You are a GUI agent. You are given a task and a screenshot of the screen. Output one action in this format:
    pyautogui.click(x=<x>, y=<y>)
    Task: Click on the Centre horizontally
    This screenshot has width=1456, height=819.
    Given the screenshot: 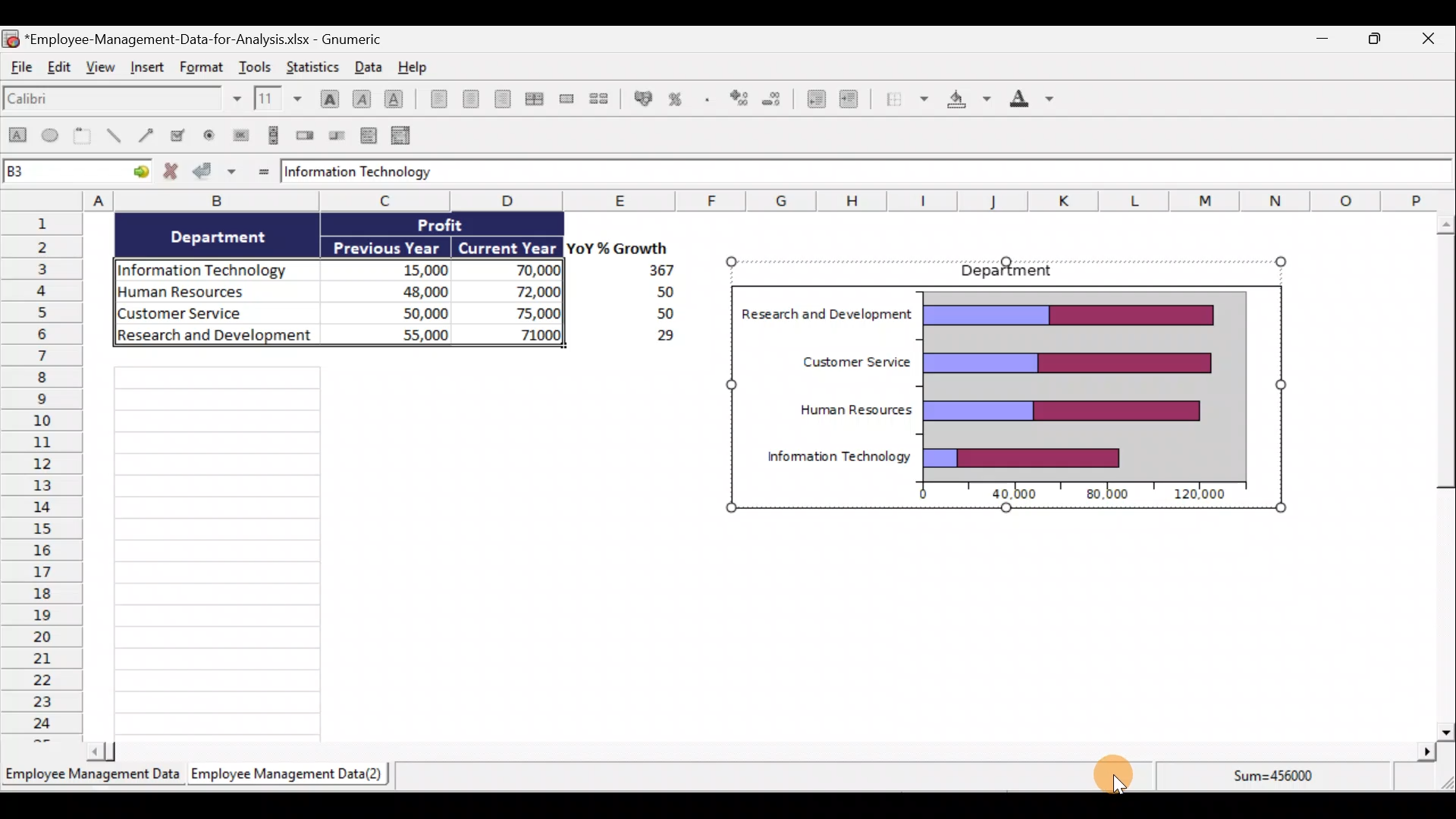 What is the action you would take?
    pyautogui.click(x=476, y=101)
    